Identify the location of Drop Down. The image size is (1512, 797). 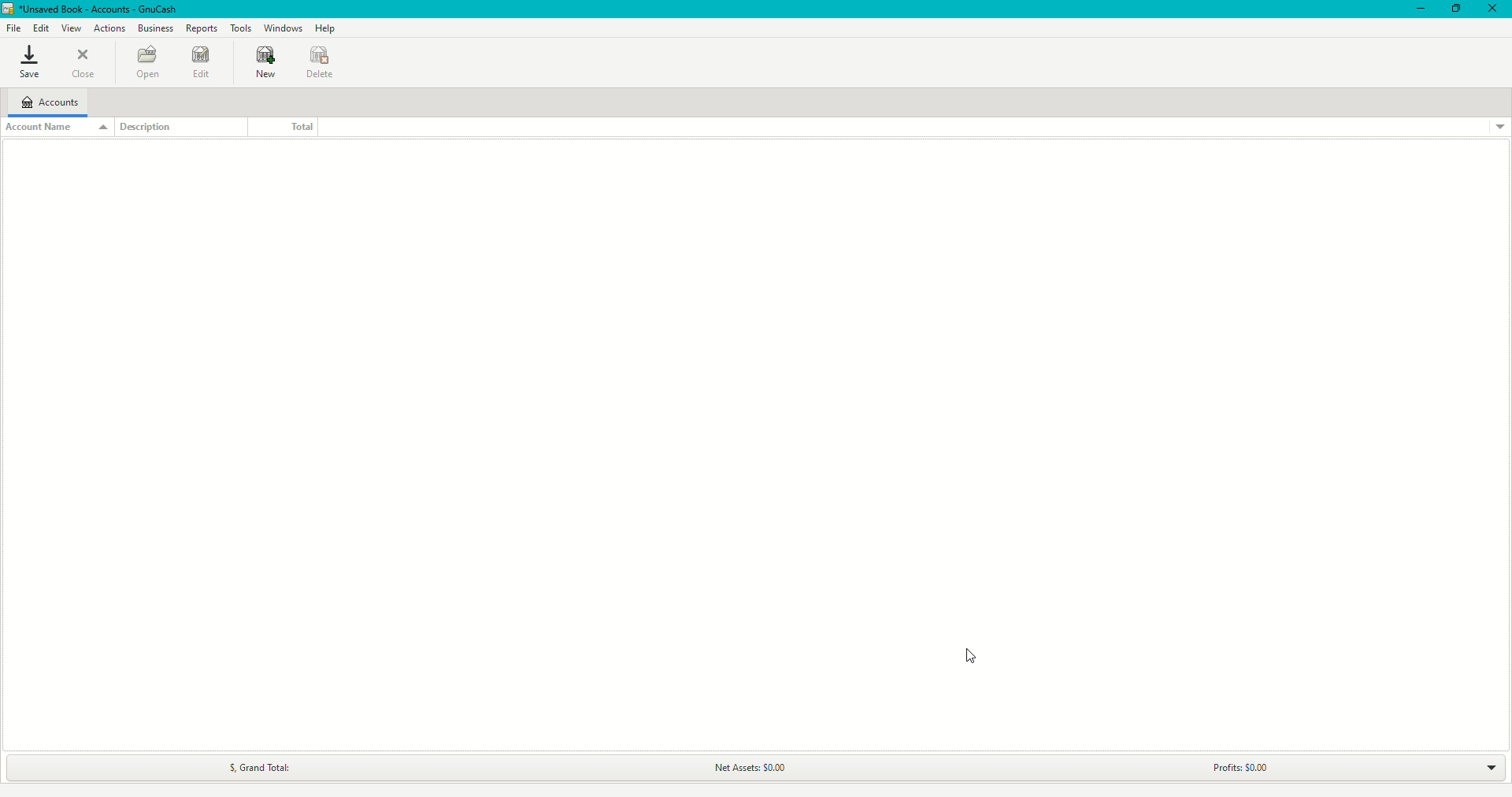
(1480, 766).